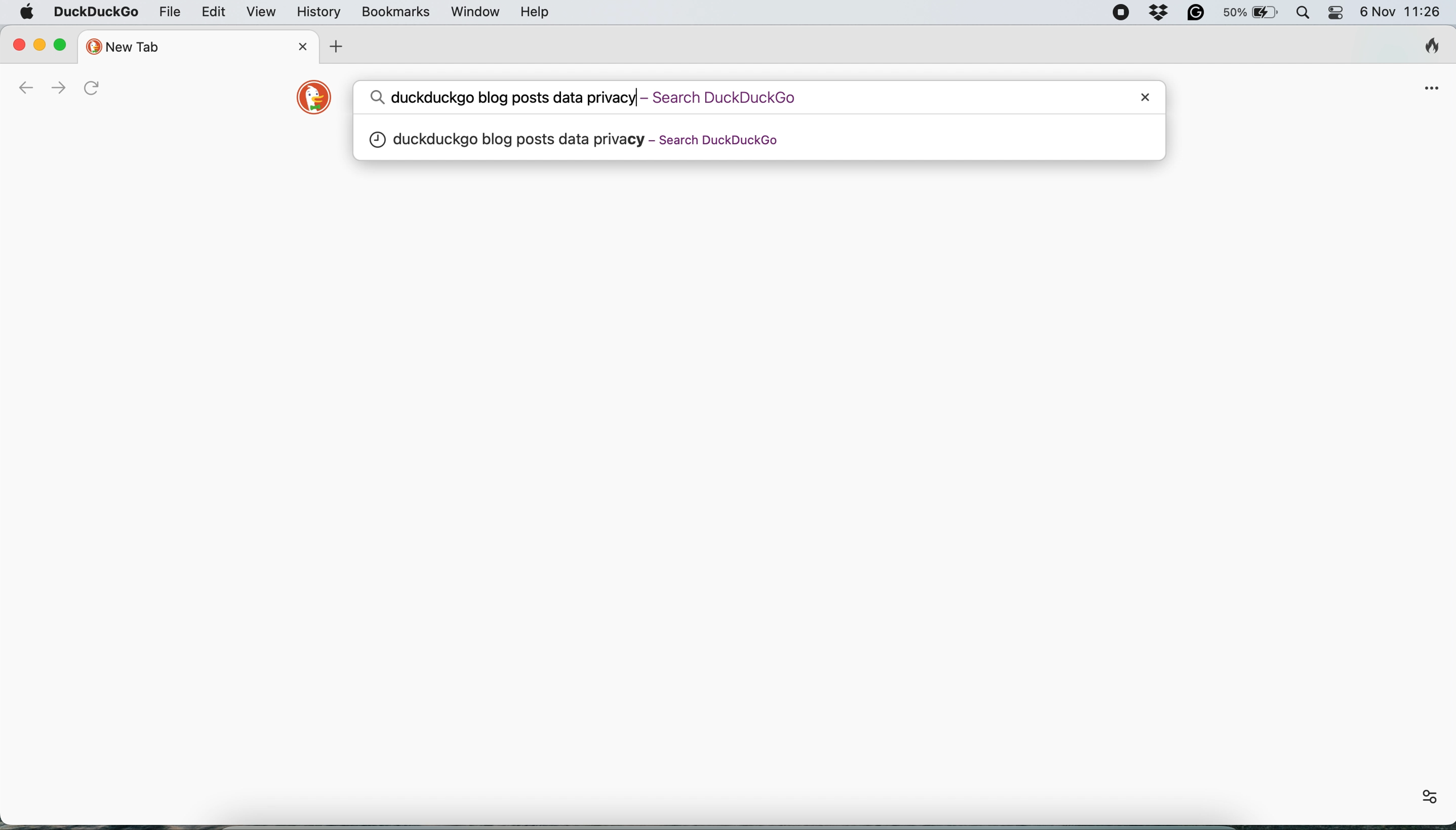  What do you see at coordinates (261, 13) in the screenshot?
I see `view` at bounding box center [261, 13].